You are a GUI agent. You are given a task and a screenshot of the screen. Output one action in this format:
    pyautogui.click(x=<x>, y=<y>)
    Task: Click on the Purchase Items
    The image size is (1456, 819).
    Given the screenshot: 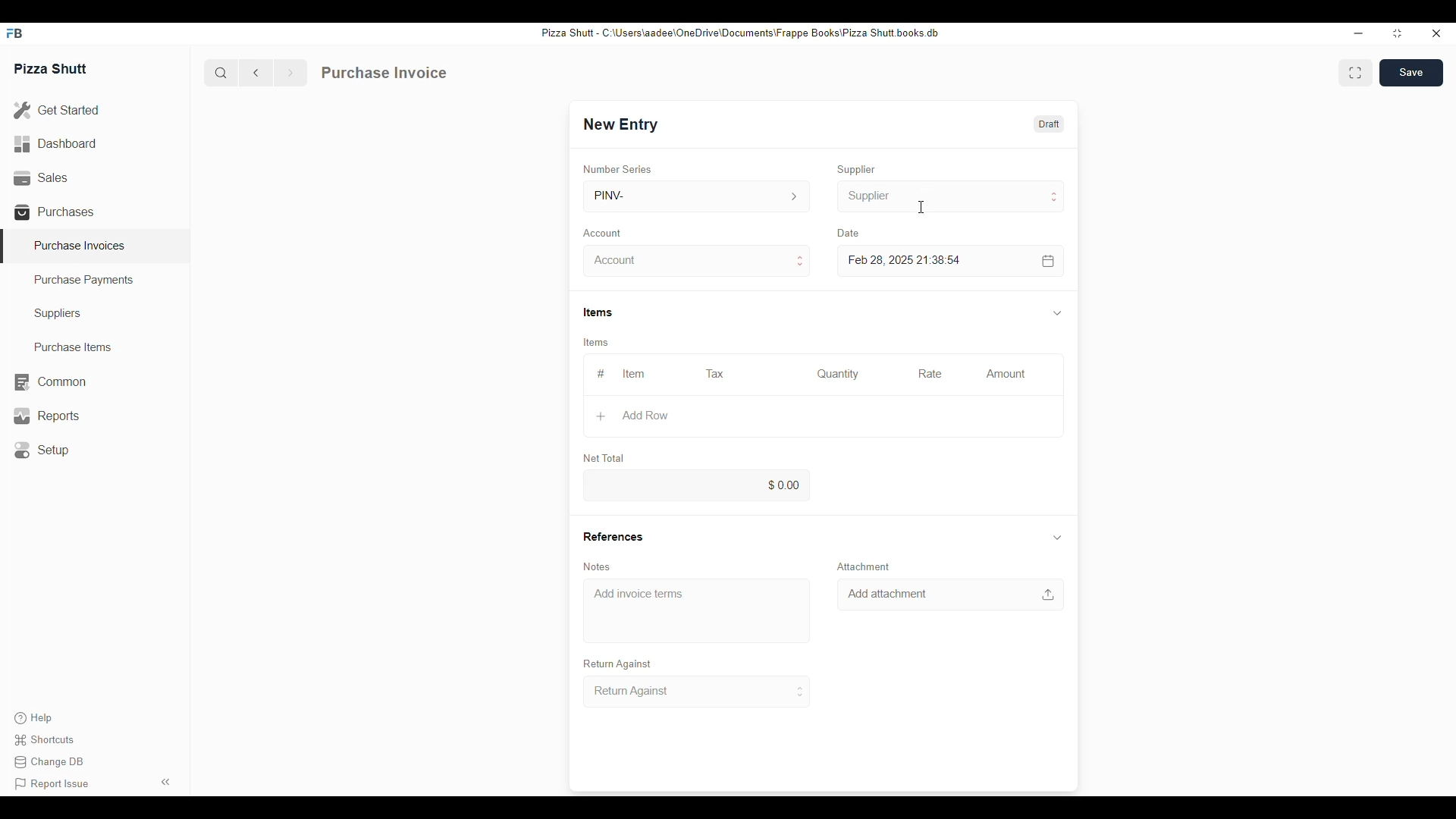 What is the action you would take?
    pyautogui.click(x=67, y=347)
    